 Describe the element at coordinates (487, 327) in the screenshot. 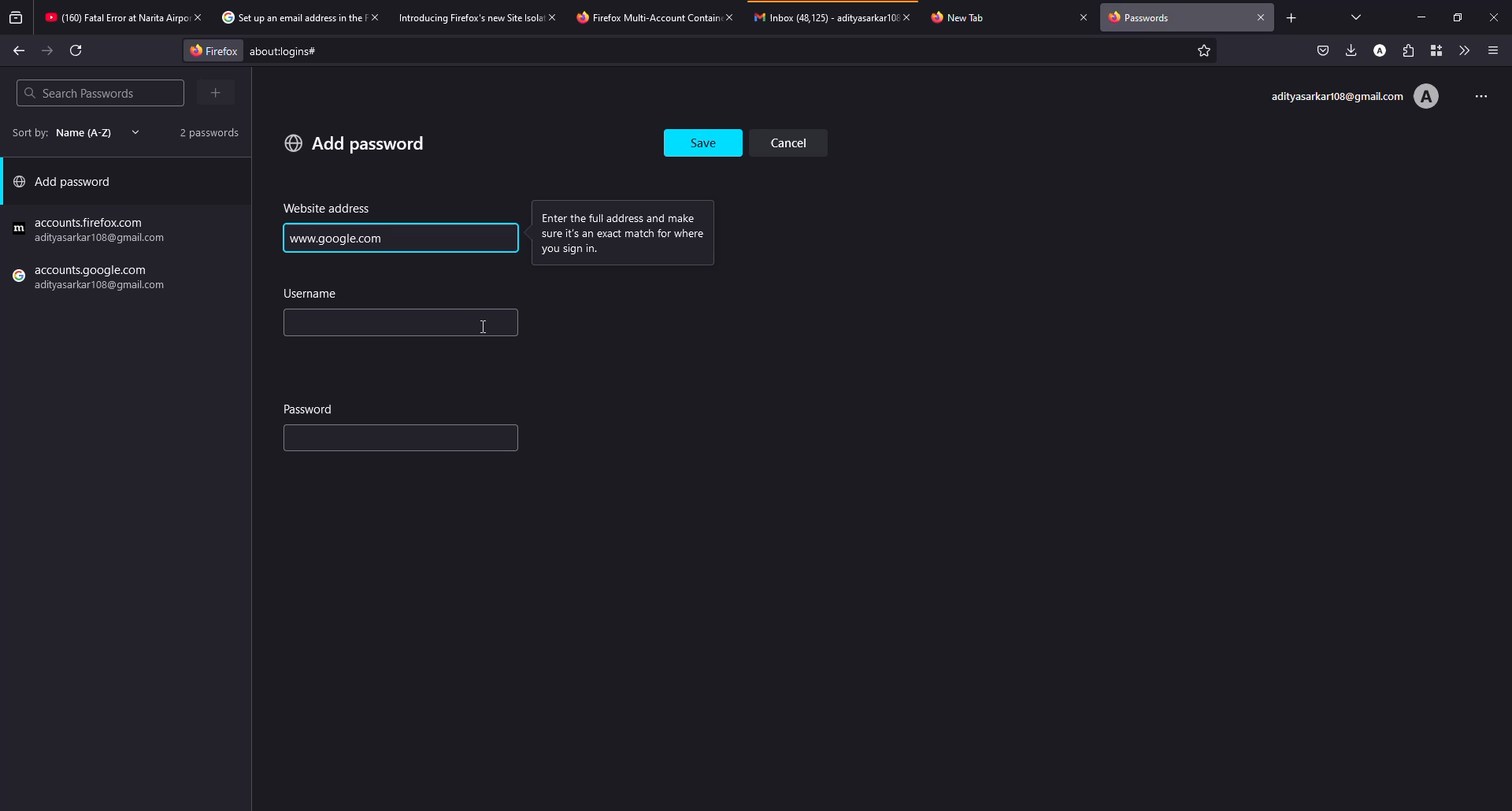

I see `cursor` at that location.